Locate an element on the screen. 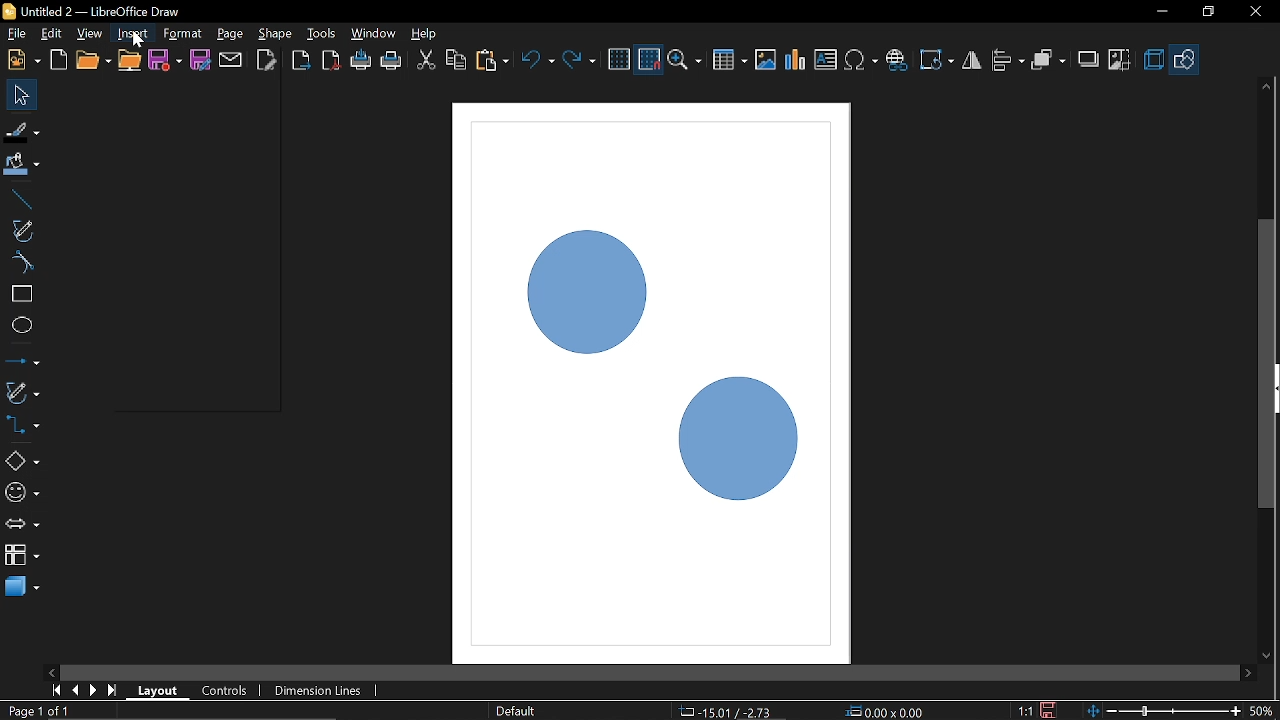 Image resolution: width=1280 pixels, height=720 pixels. curve is located at coordinates (20, 262).